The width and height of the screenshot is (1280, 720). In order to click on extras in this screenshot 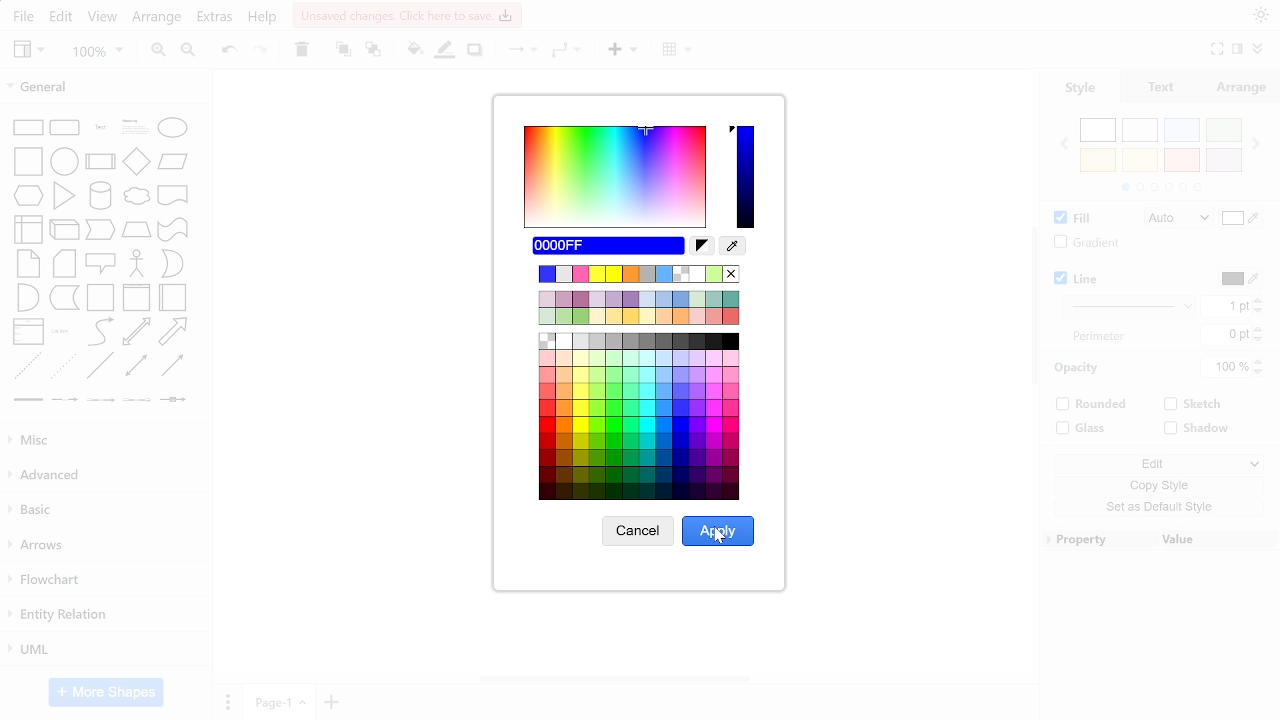, I will do `click(216, 19)`.